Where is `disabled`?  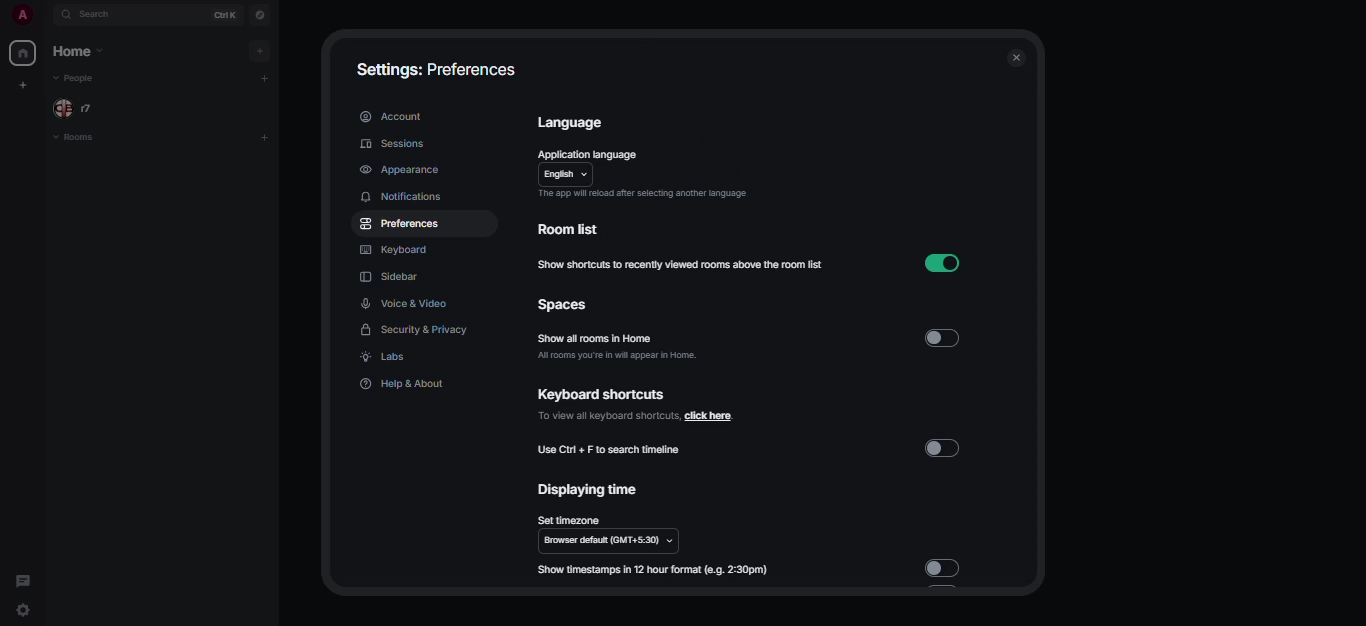 disabled is located at coordinates (947, 339).